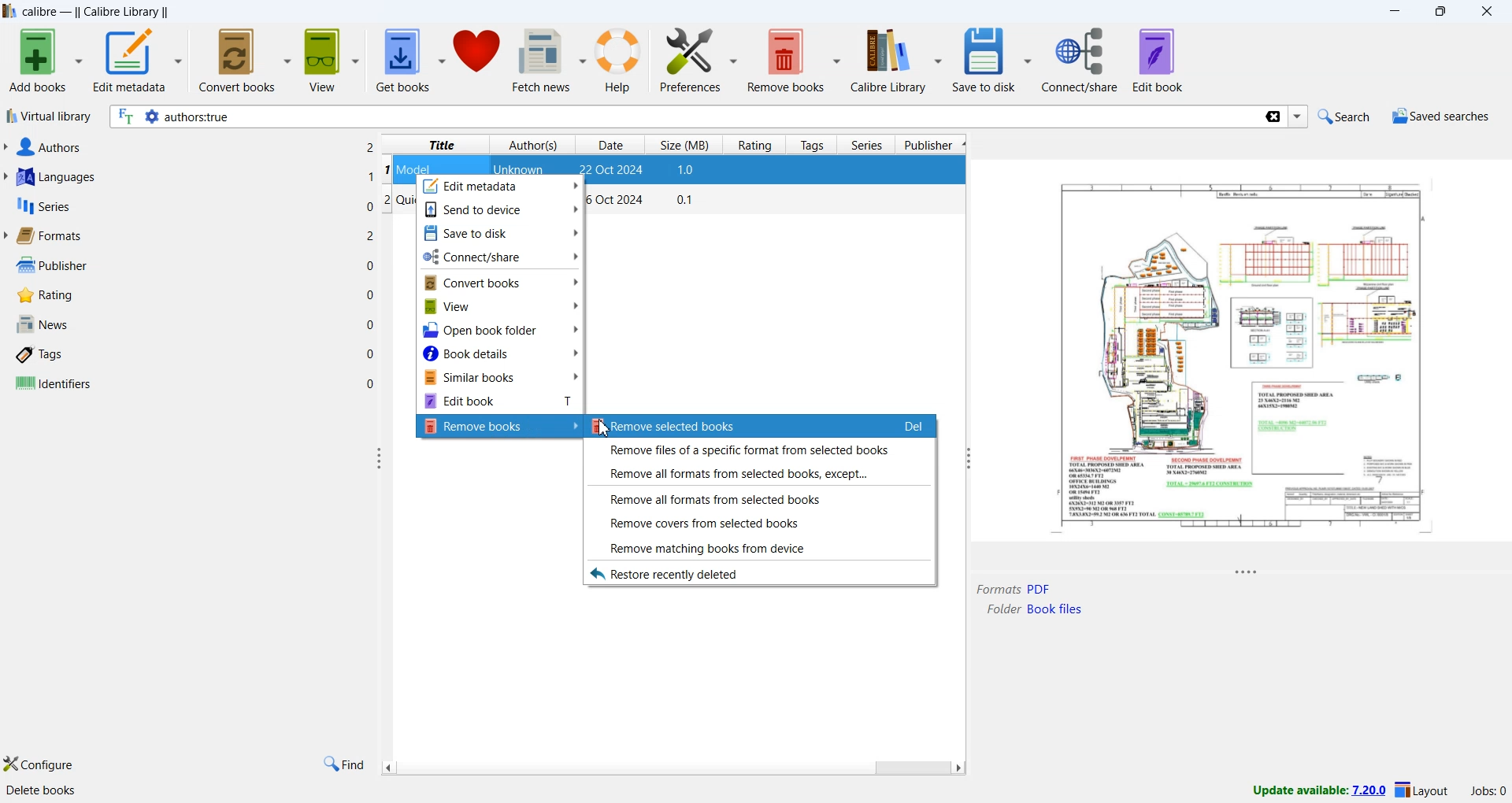 The height and width of the screenshot is (803, 1512). Describe the element at coordinates (684, 117) in the screenshot. I see `search bar` at that location.